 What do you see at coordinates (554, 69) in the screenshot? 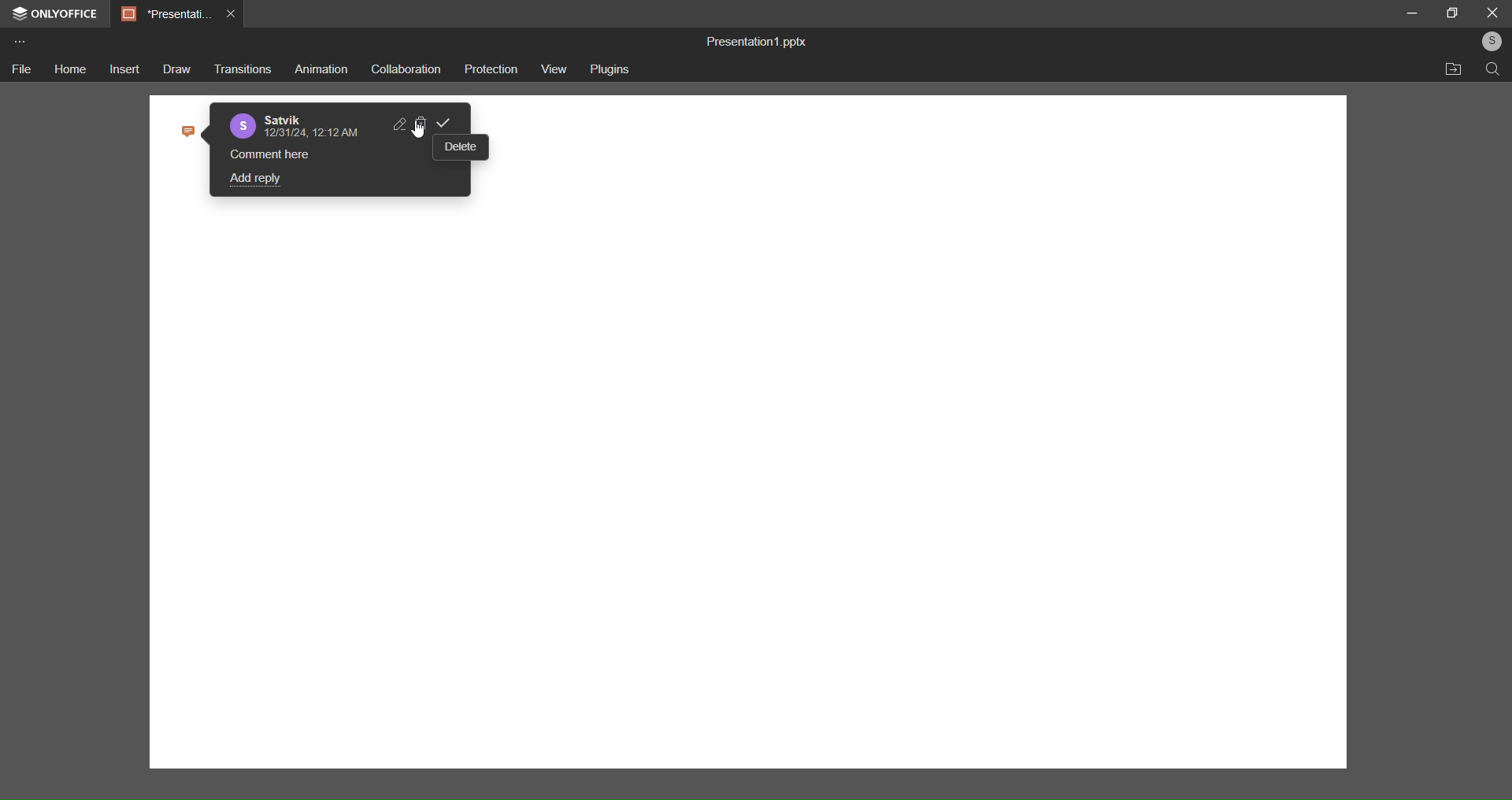
I see `view` at bounding box center [554, 69].